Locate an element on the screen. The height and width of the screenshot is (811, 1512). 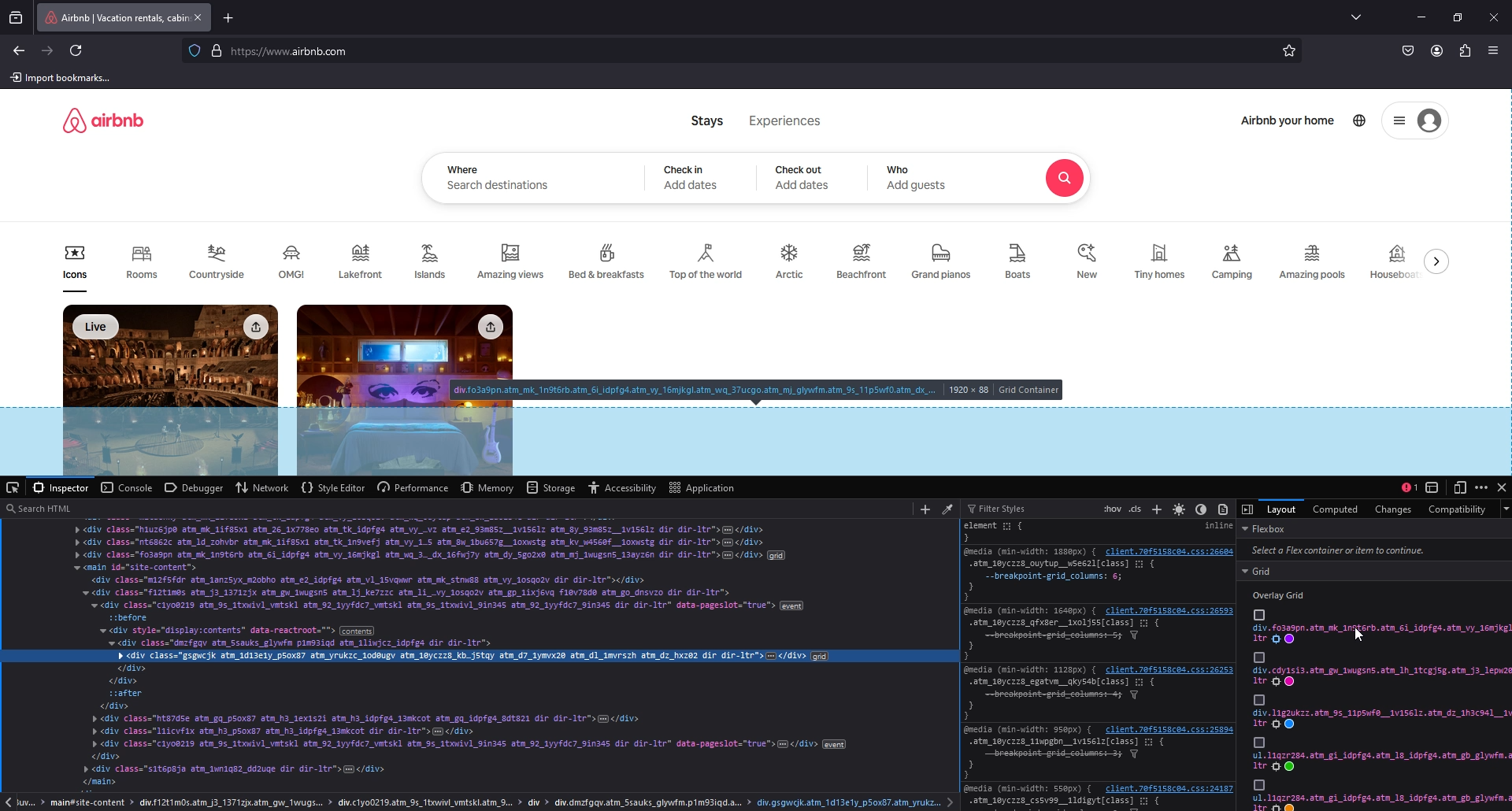
Top of the world is located at coordinates (709, 262).